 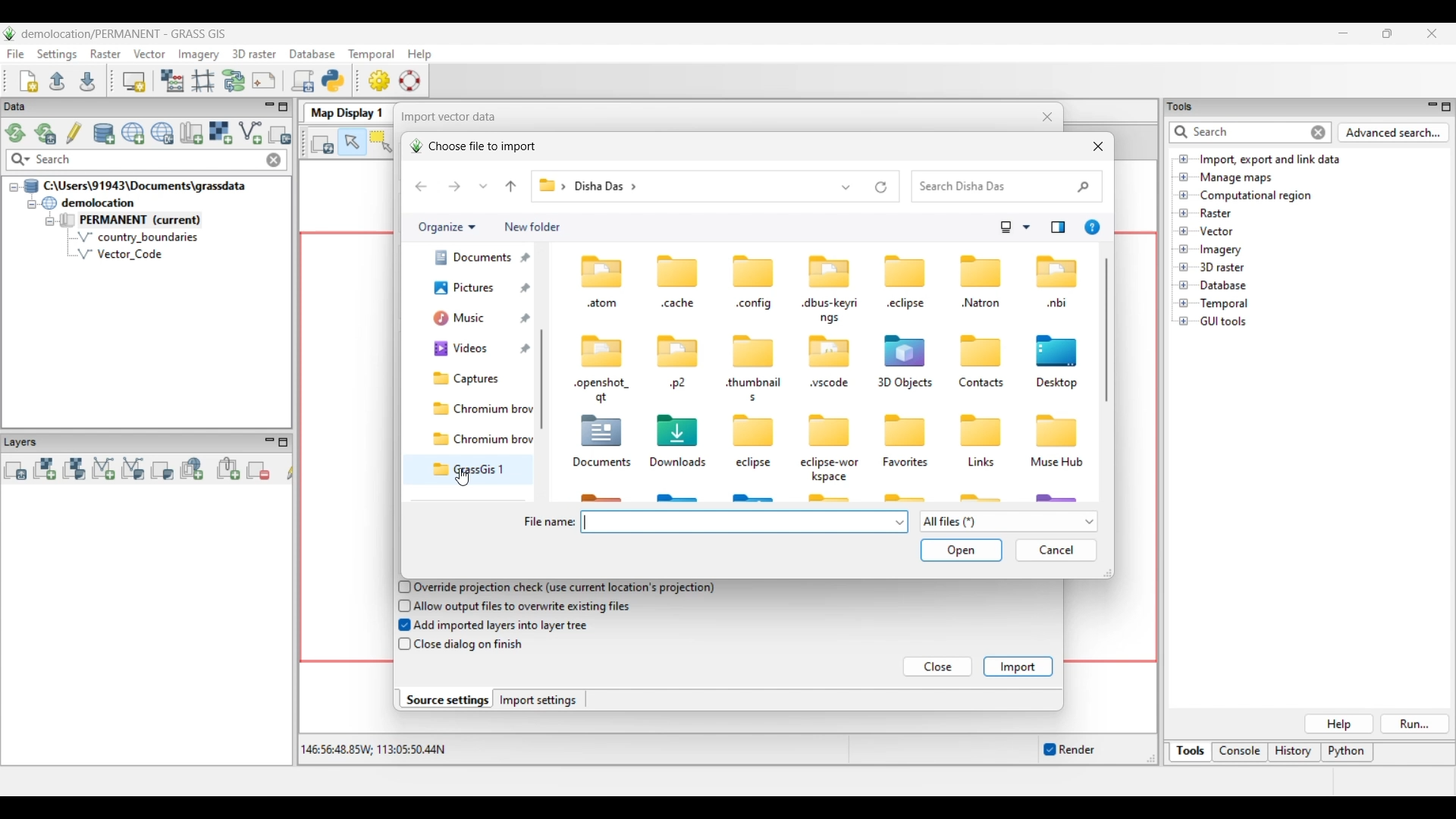 What do you see at coordinates (1092, 227) in the screenshot?
I see `Get help` at bounding box center [1092, 227].